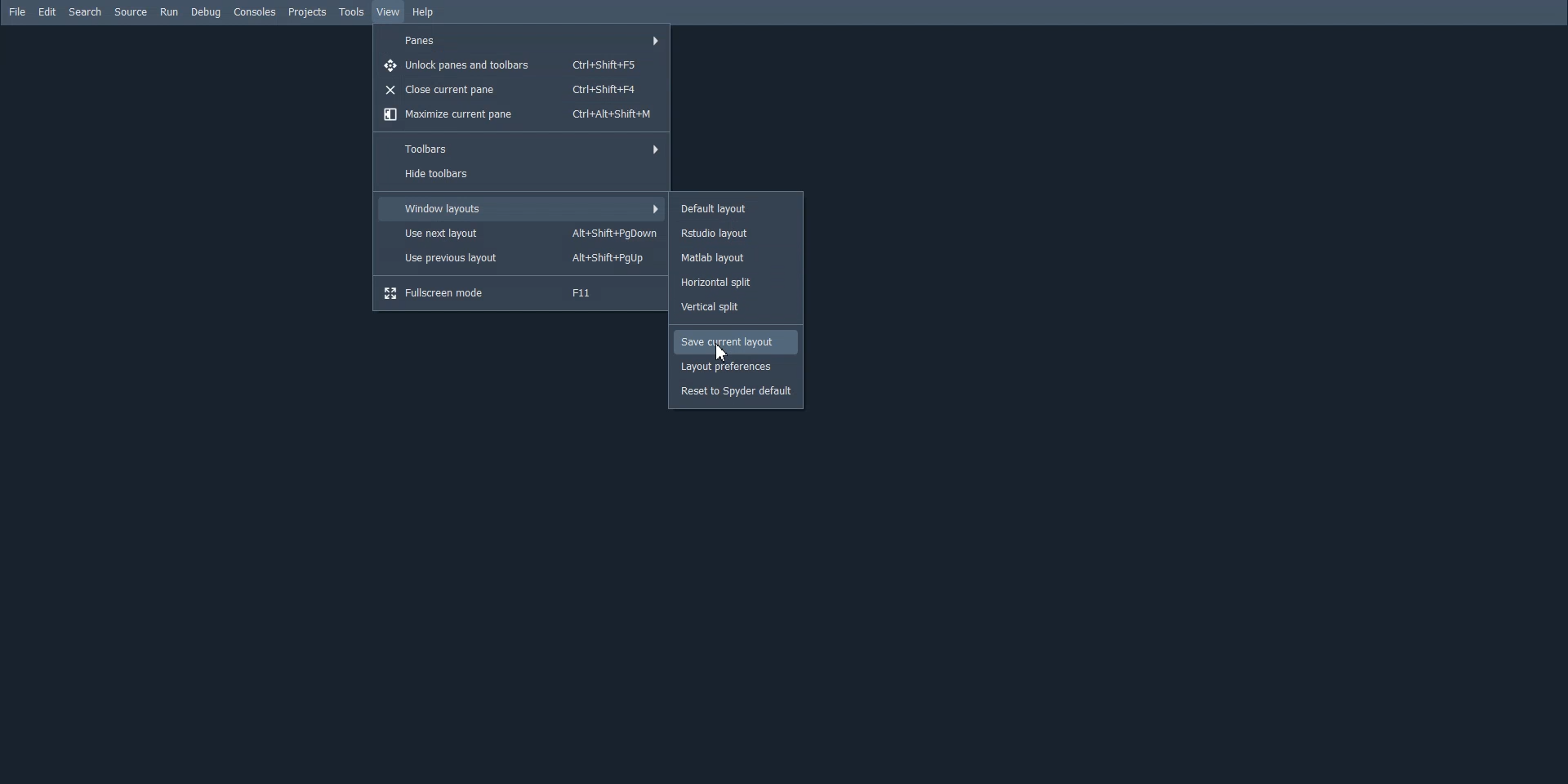 This screenshot has width=1568, height=784. Describe the element at coordinates (255, 11) in the screenshot. I see `Consoles` at that location.